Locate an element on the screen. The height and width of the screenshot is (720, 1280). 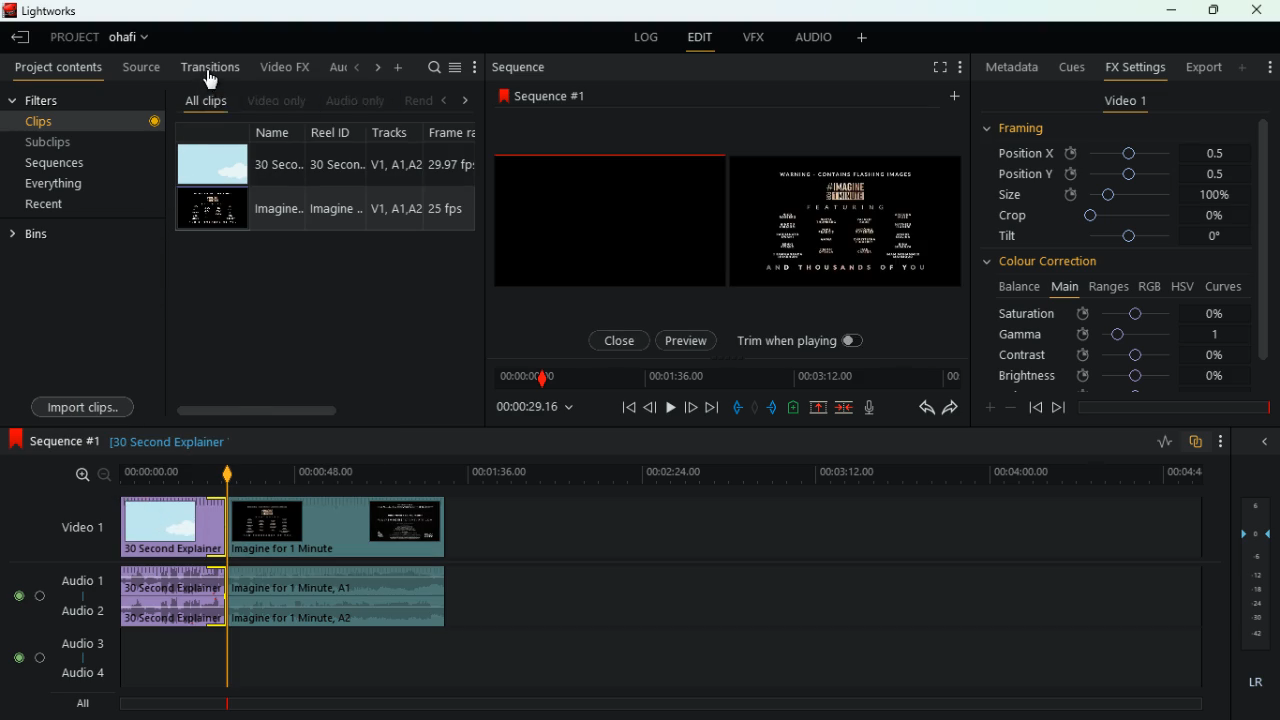
bins is located at coordinates (33, 237).